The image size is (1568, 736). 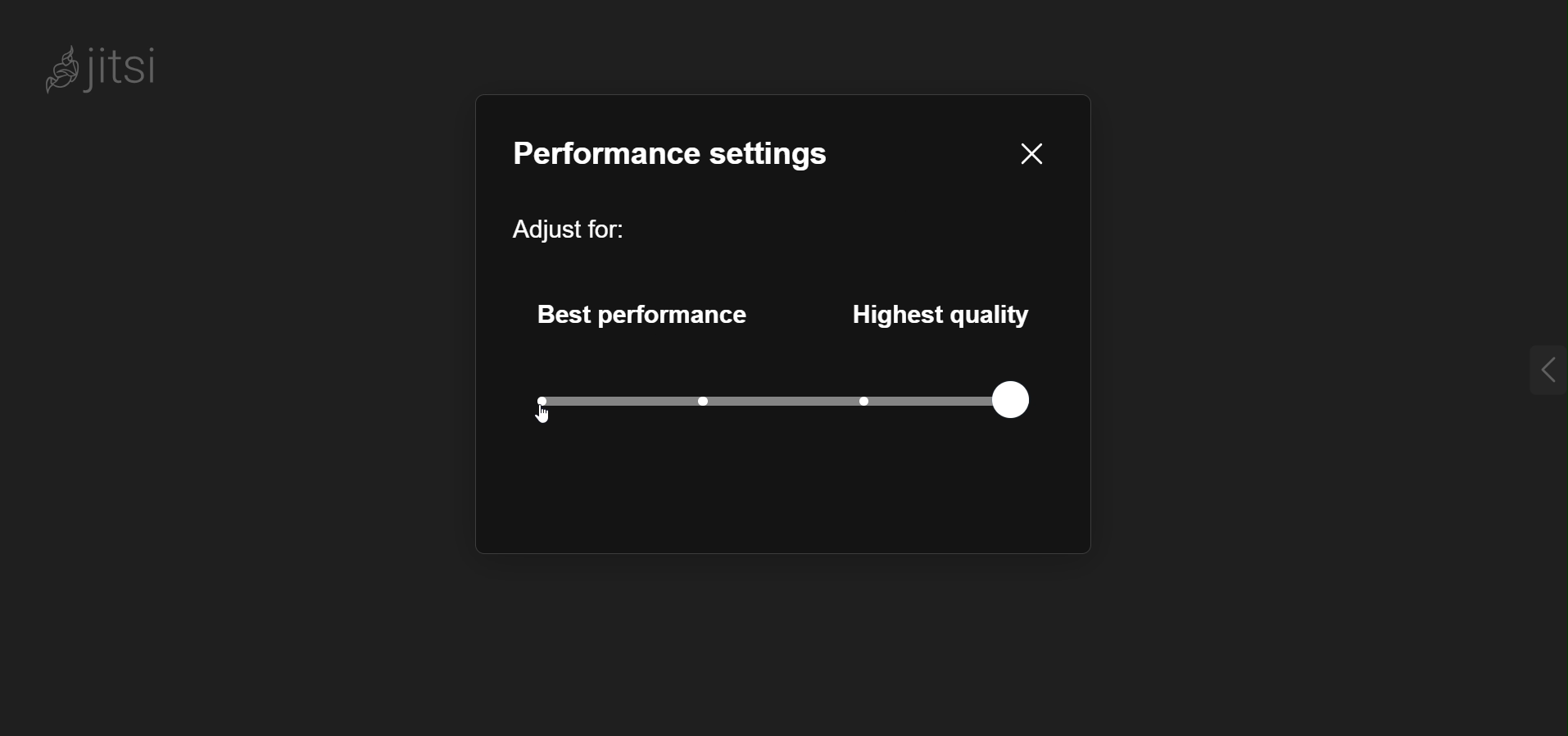 I want to click on cursor, so click(x=524, y=429).